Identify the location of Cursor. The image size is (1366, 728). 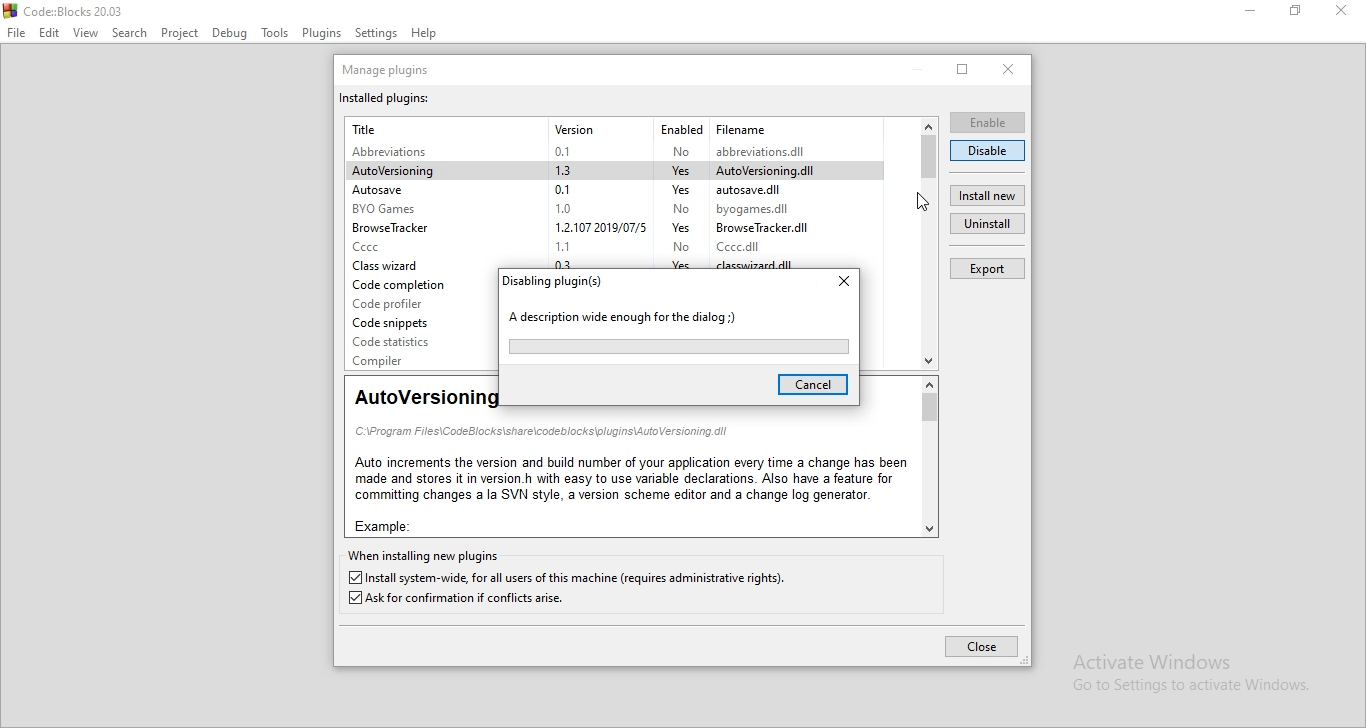
(922, 202).